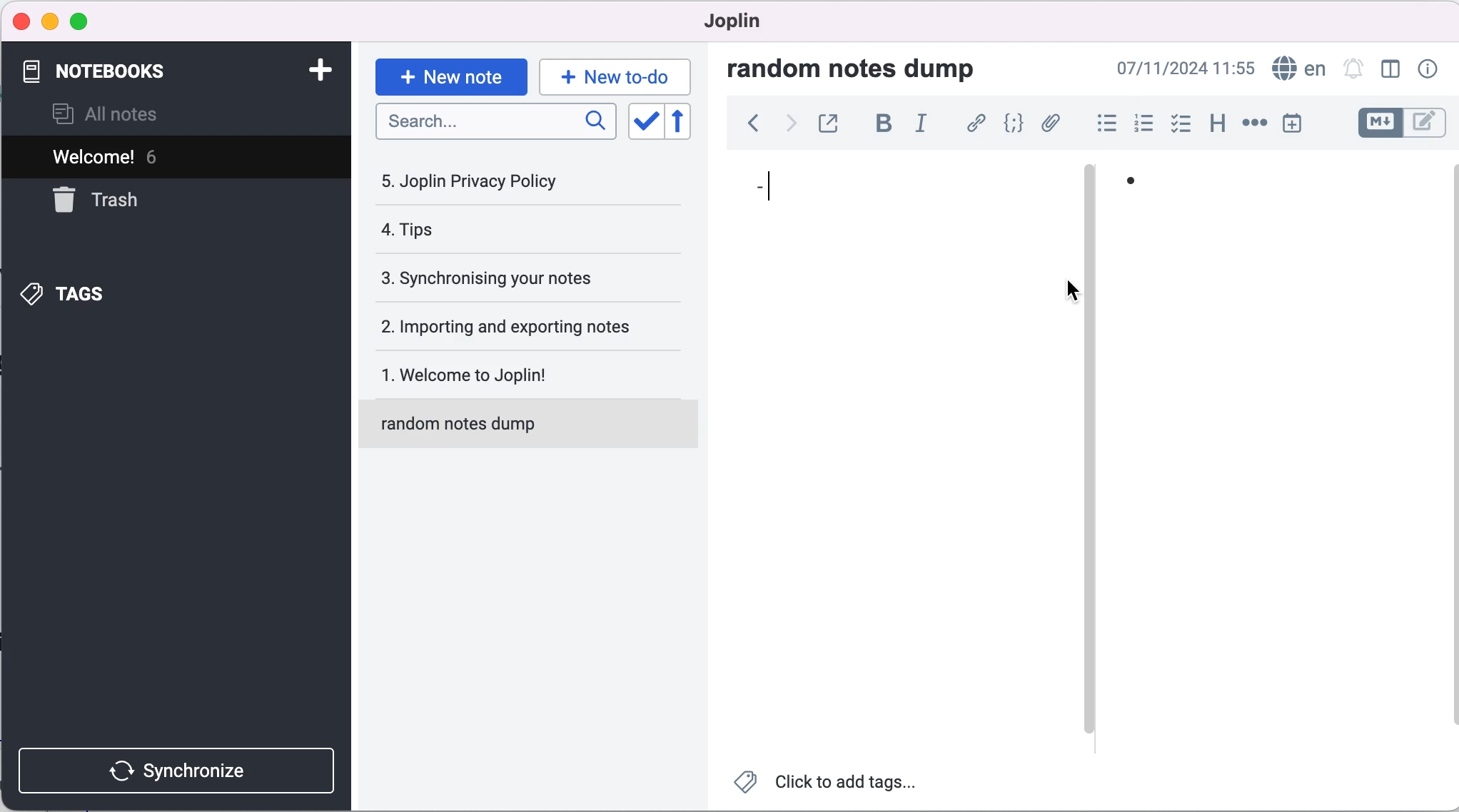  What do you see at coordinates (515, 325) in the screenshot?
I see `importing and exporting notes` at bounding box center [515, 325].